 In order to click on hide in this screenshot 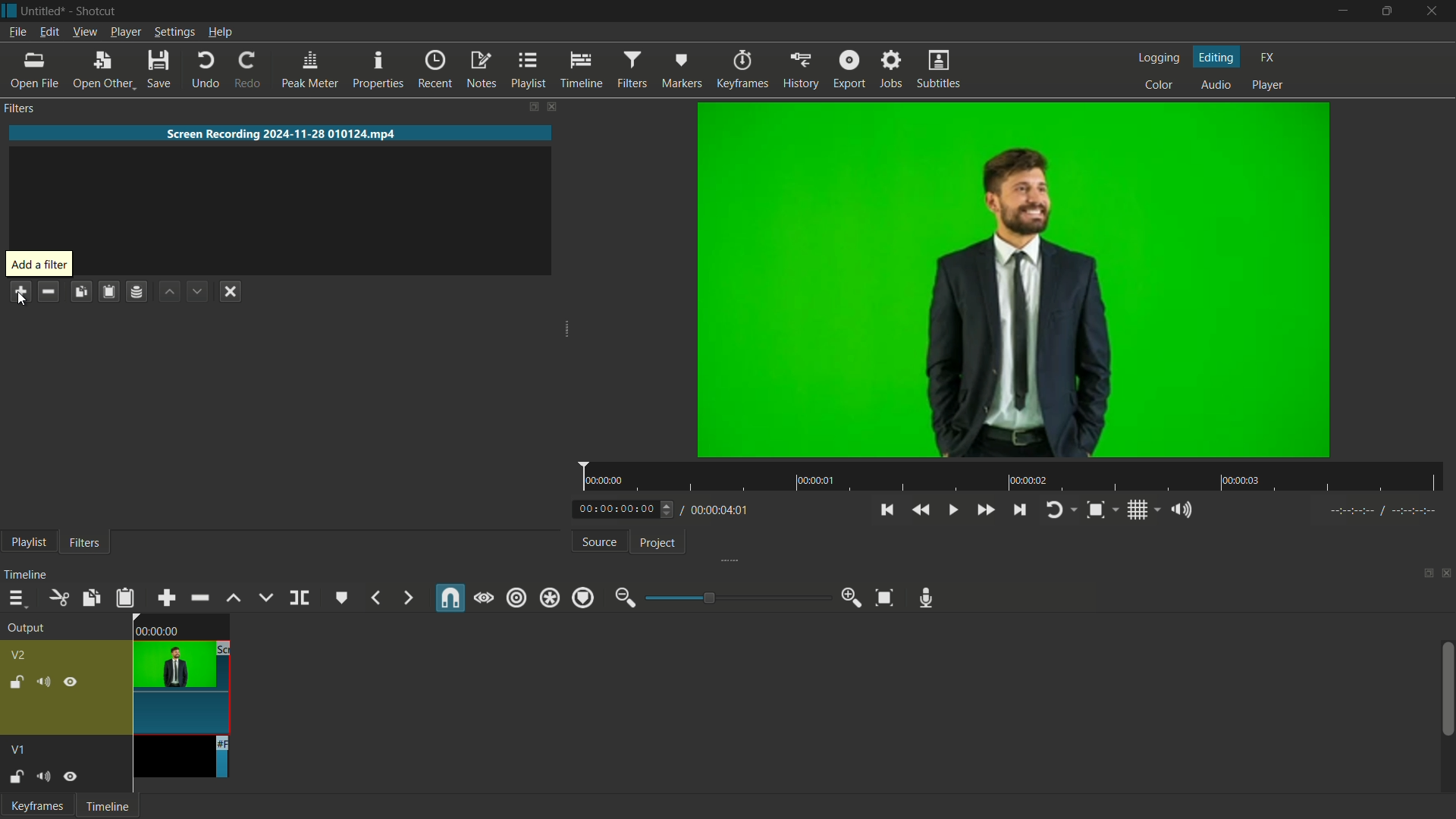, I will do `click(70, 776)`.